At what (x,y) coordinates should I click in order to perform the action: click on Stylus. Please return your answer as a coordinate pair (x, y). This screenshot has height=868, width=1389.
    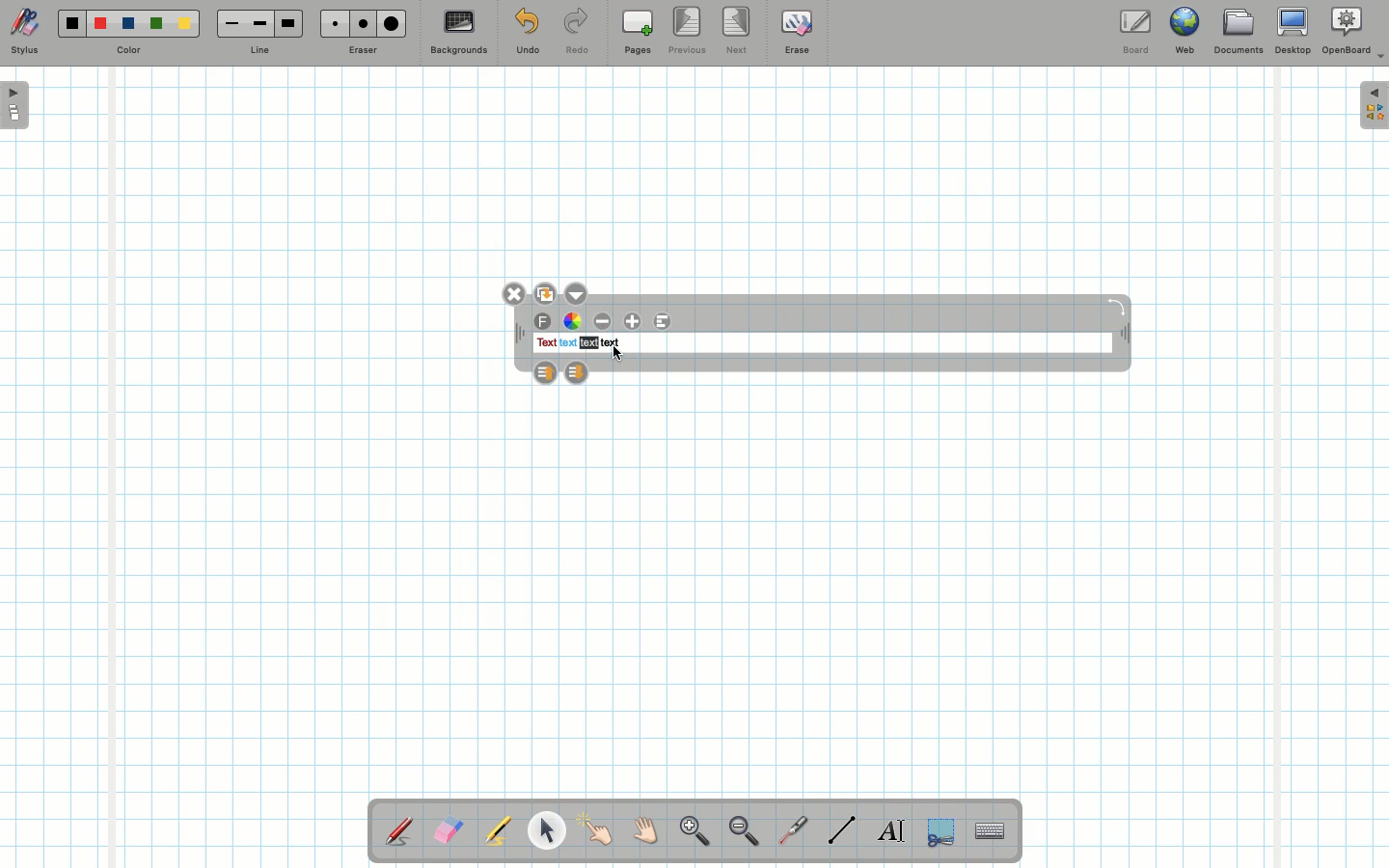
    Looking at the image, I should click on (24, 32).